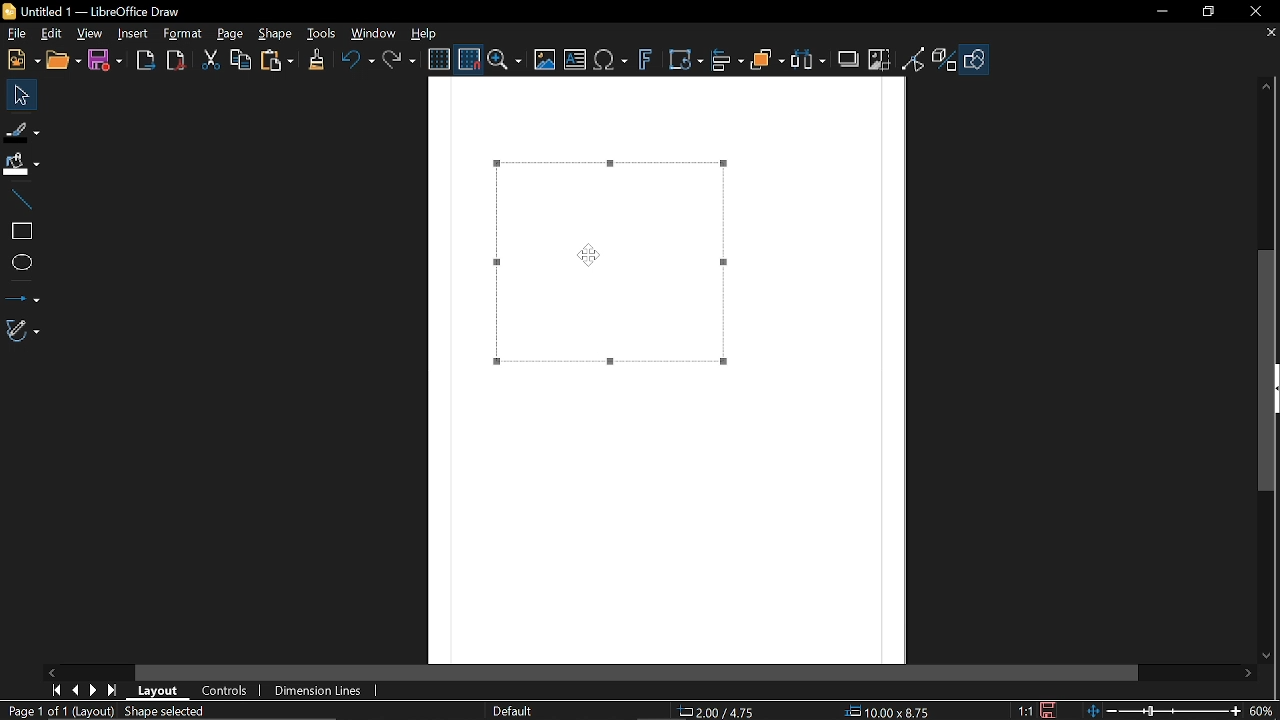 This screenshot has width=1280, height=720. I want to click on Tools, so click(322, 33).